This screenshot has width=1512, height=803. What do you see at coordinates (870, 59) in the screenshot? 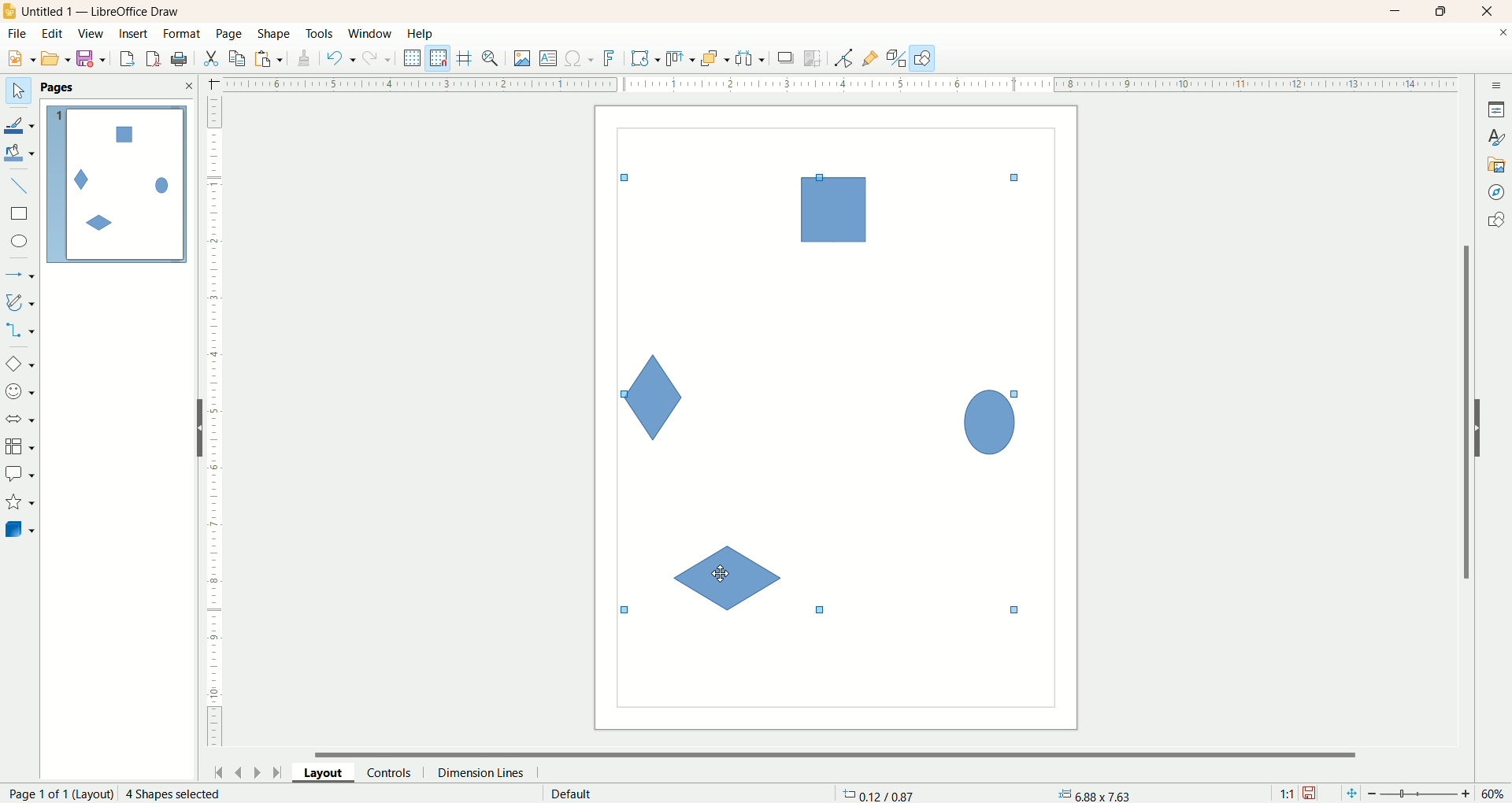
I see `gluepoint function` at bounding box center [870, 59].